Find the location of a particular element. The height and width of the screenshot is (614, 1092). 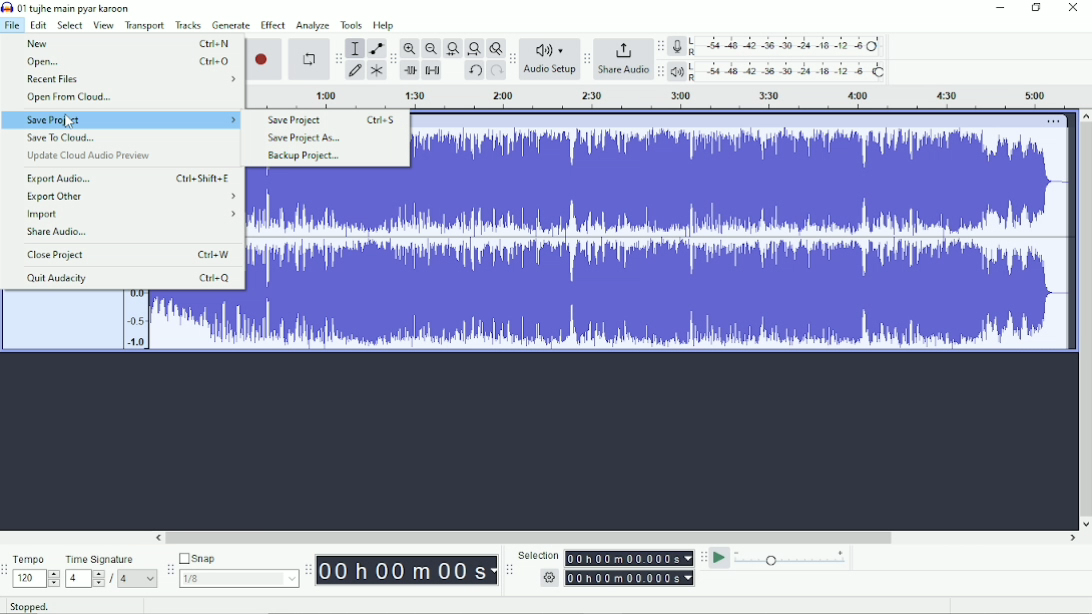

Audacity selection toolbar is located at coordinates (510, 571).